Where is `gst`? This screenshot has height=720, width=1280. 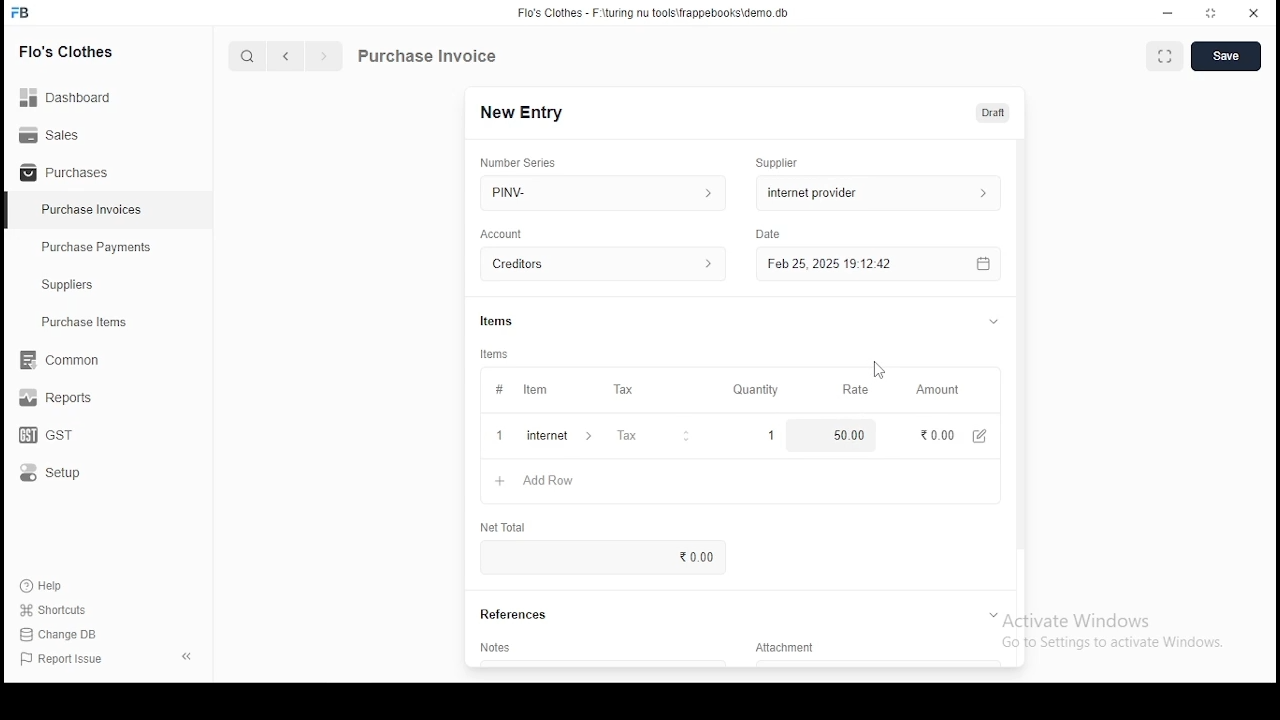
gst is located at coordinates (46, 437).